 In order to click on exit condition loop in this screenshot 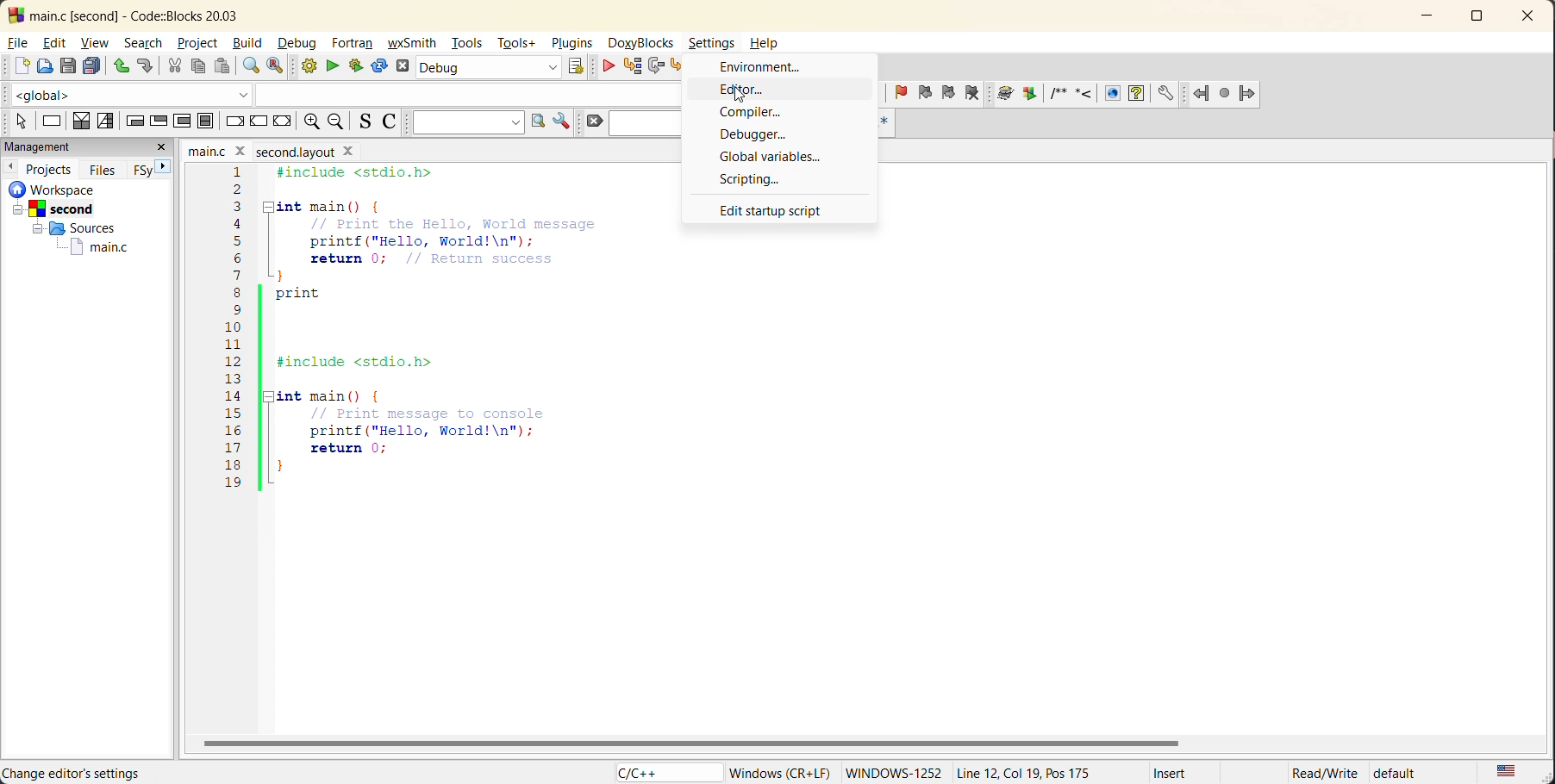, I will do `click(158, 120)`.